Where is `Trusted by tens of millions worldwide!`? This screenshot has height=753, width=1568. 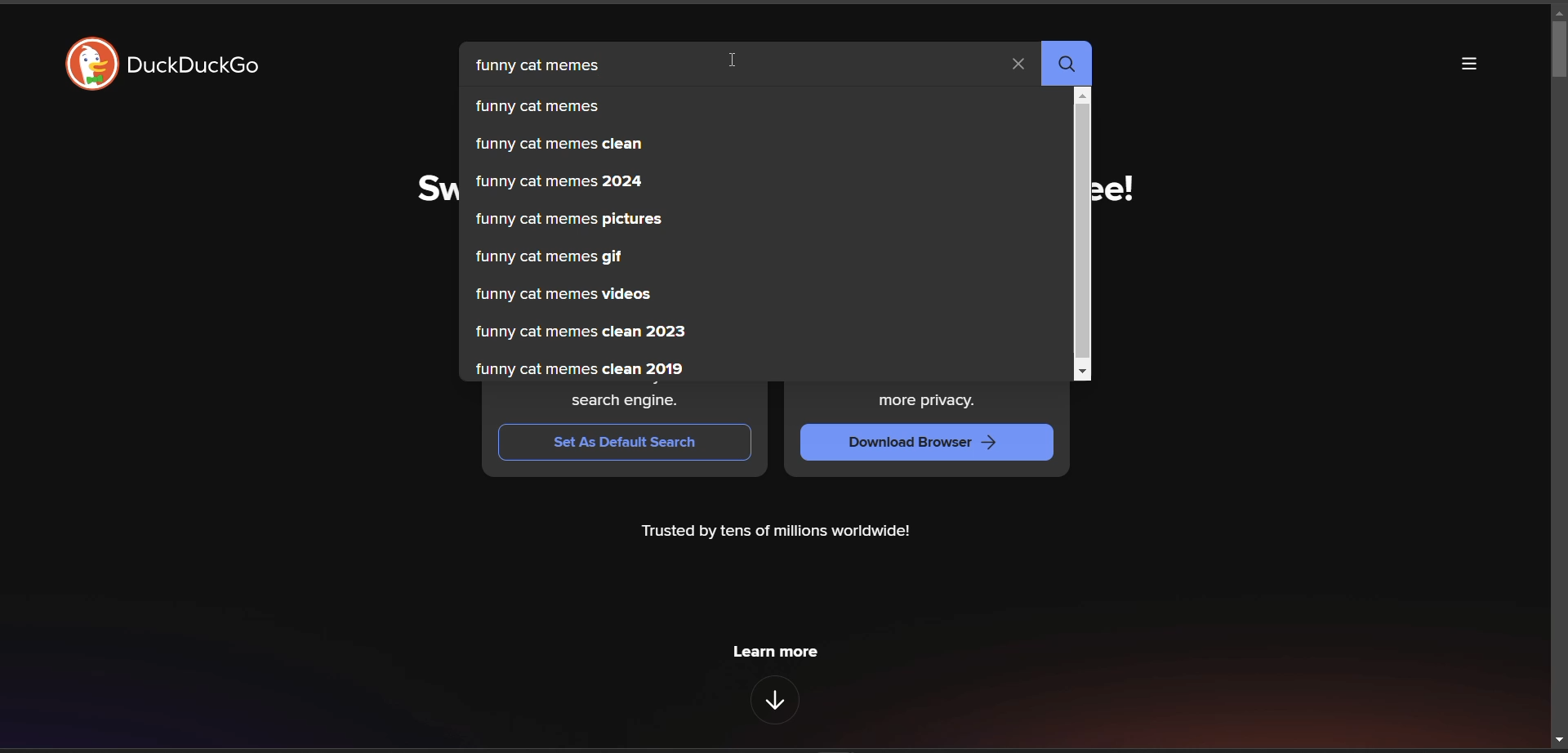 Trusted by tens of millions worldwide! is located at coordinates (776, 531).